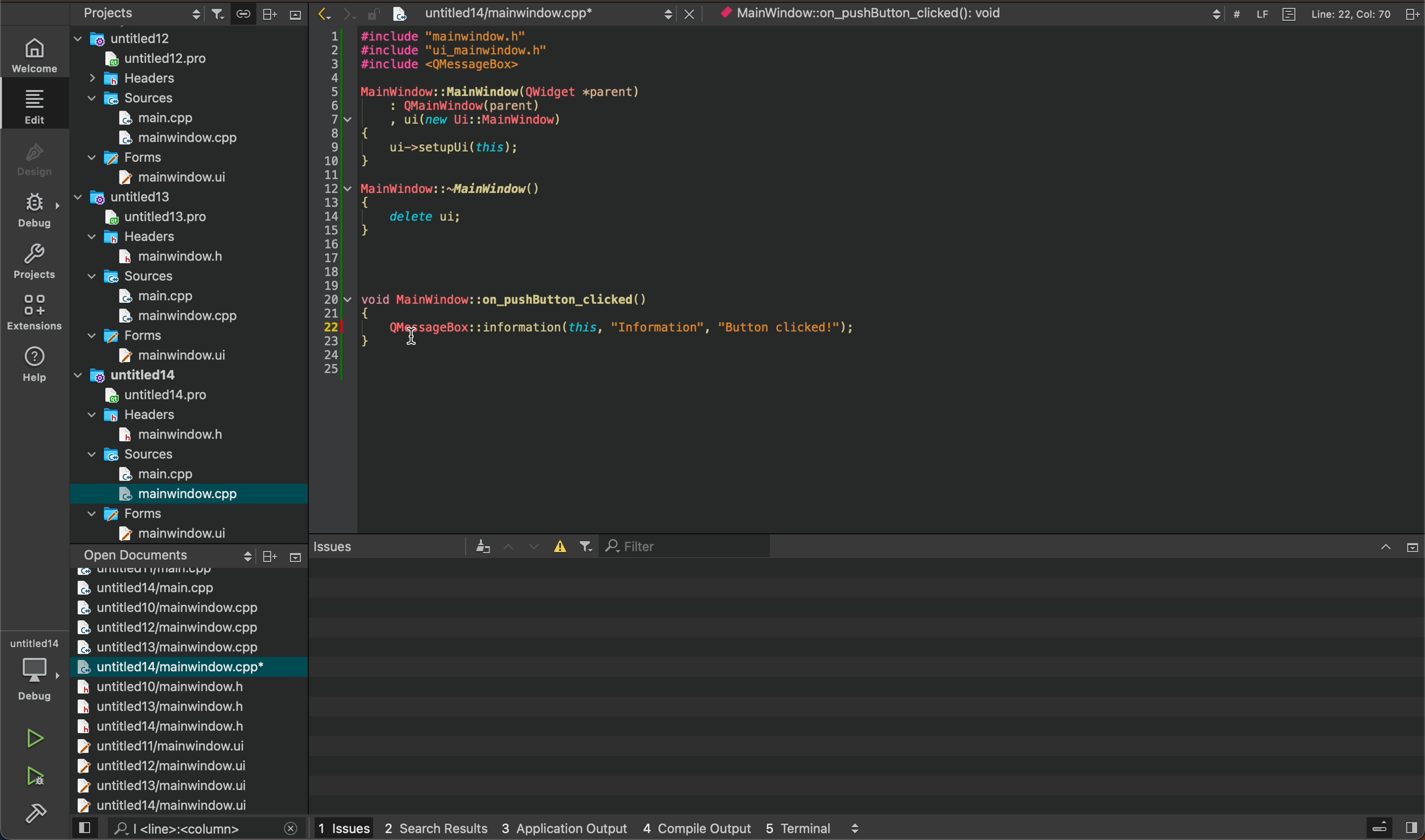  I want to click on filter, so click(683, 545).